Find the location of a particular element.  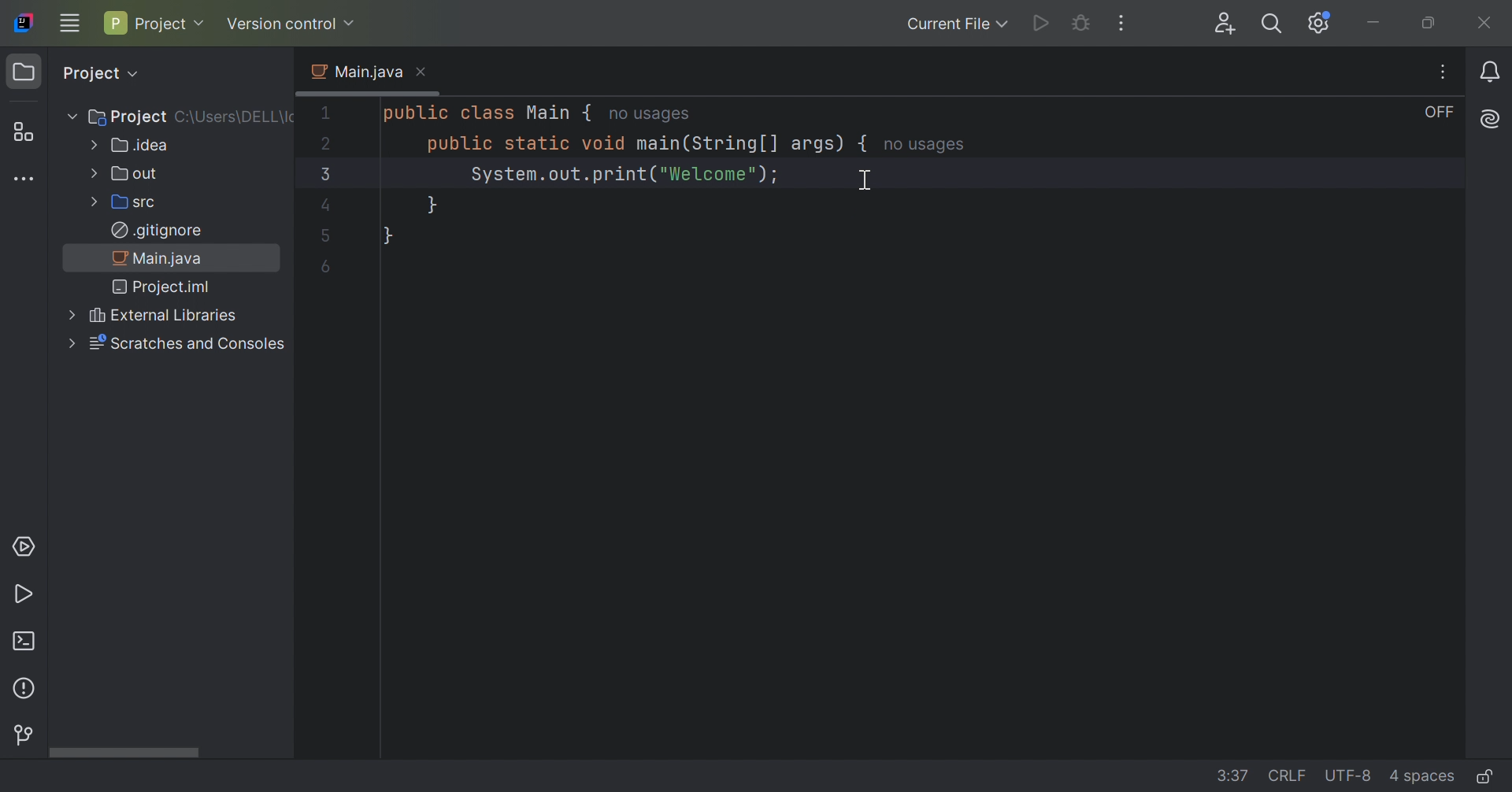

Minimize is located at coordinates (1377, 24).